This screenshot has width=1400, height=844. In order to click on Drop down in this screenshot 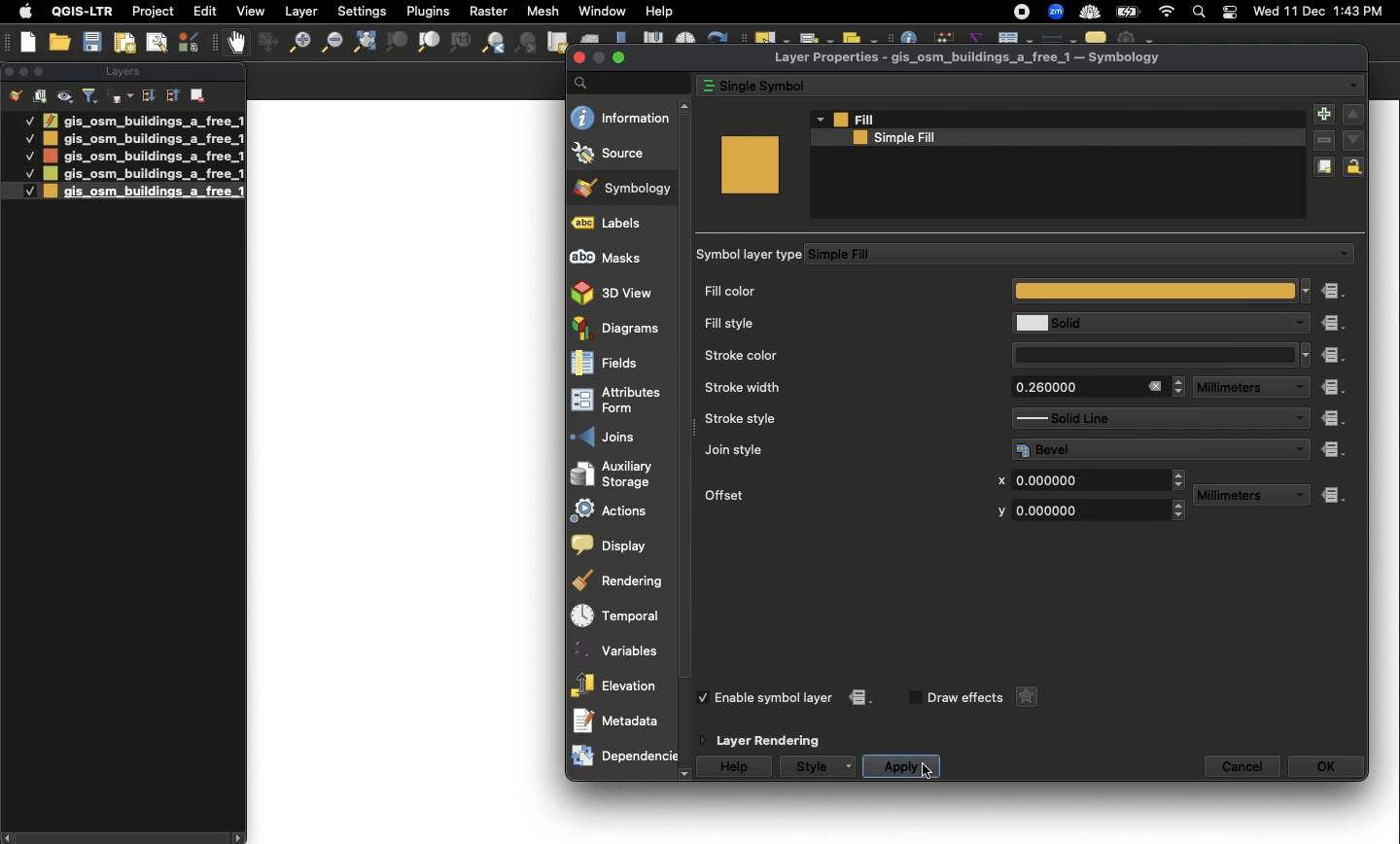, I will do `click(1180, 511)`.